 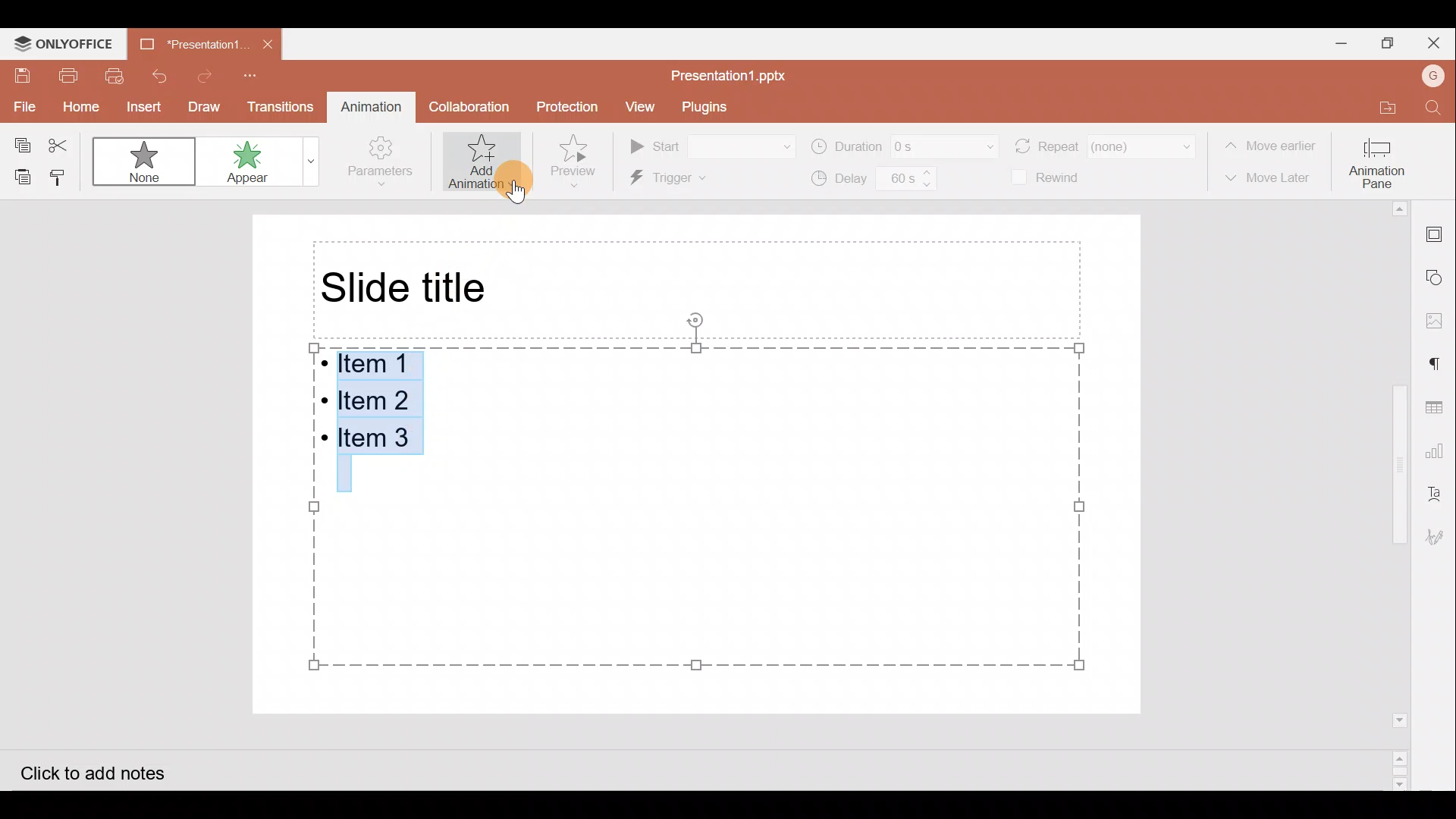 I want to click on Text Art settings, so click(x=1441, y=490).